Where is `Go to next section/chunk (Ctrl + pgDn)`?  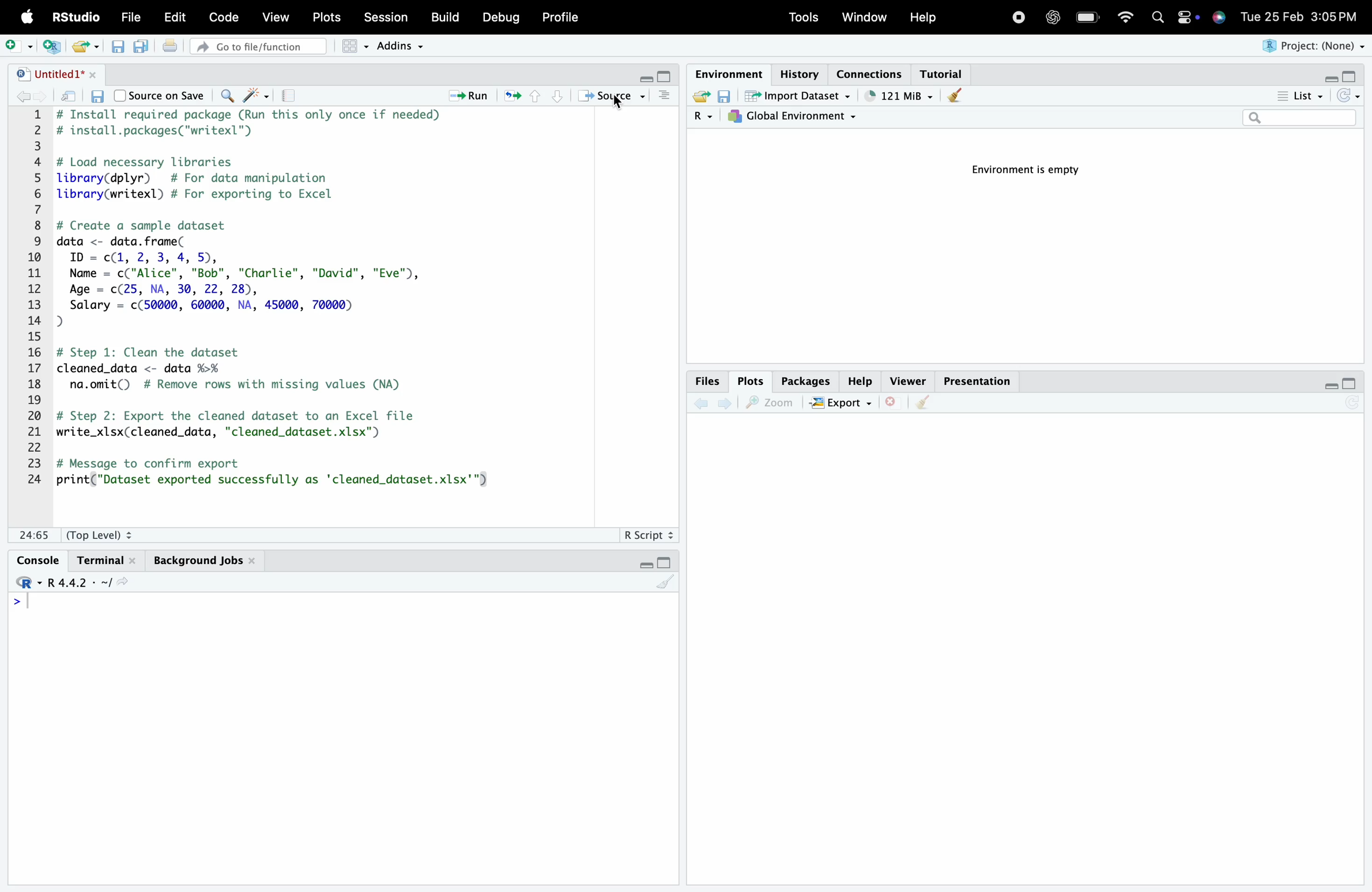 Go to next section/chunk (Ctrl + pgDn) is located at coordinates (557, 97).